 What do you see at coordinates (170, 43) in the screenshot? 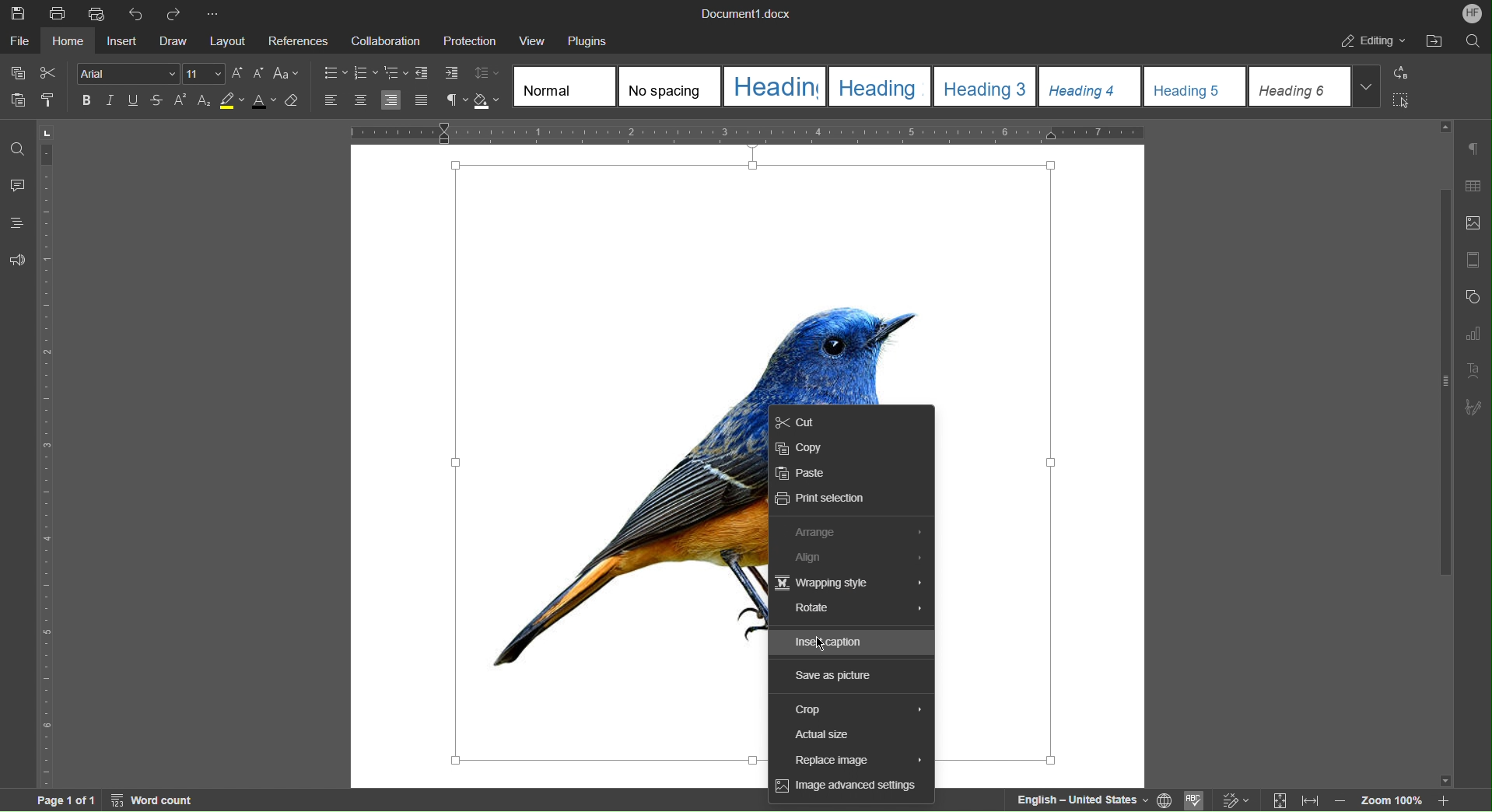
I see `Draw` at bounding box center [170, 43].